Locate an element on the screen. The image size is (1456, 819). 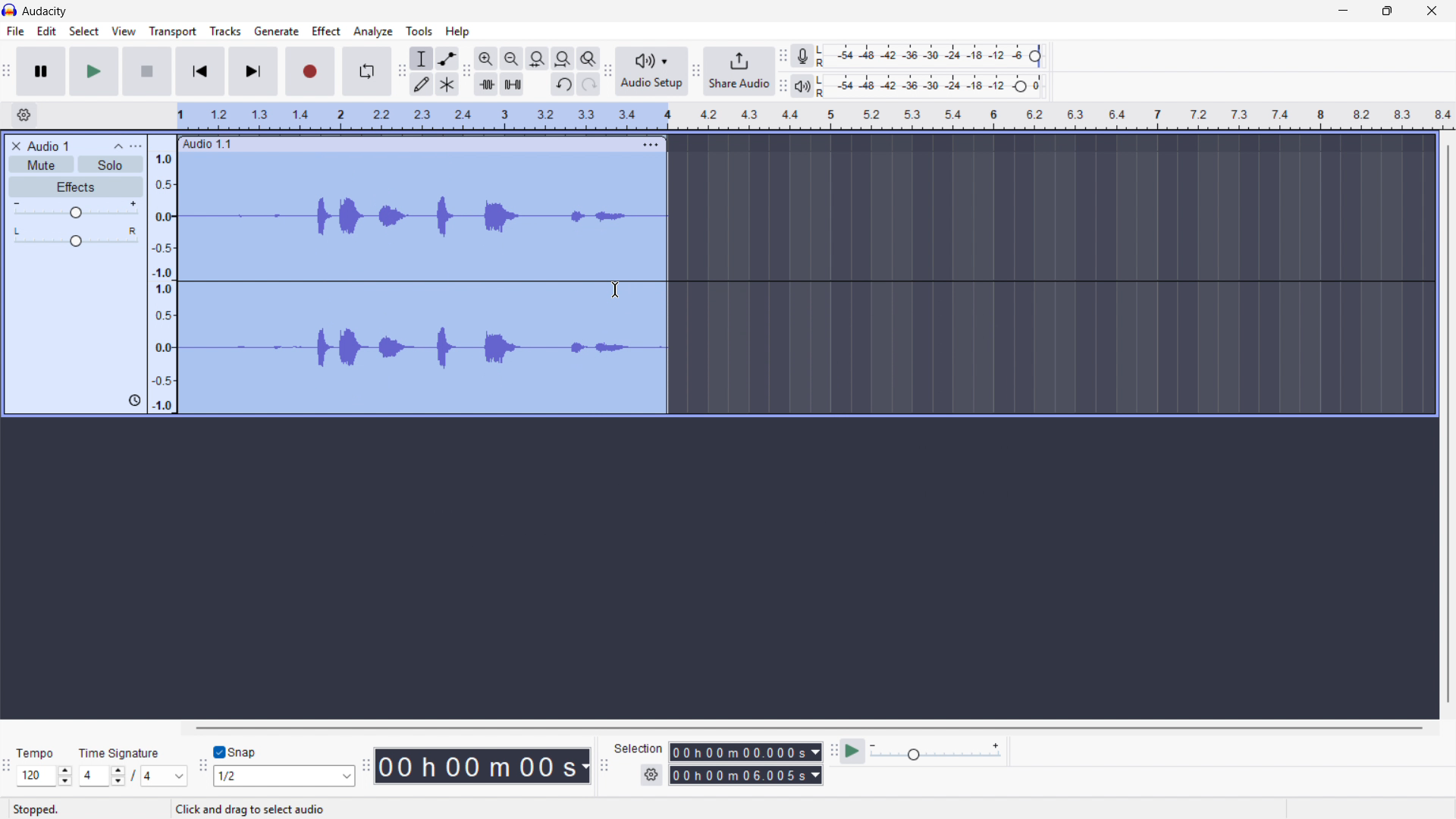
click and drag to select audio is located at coordinates (249, 809).